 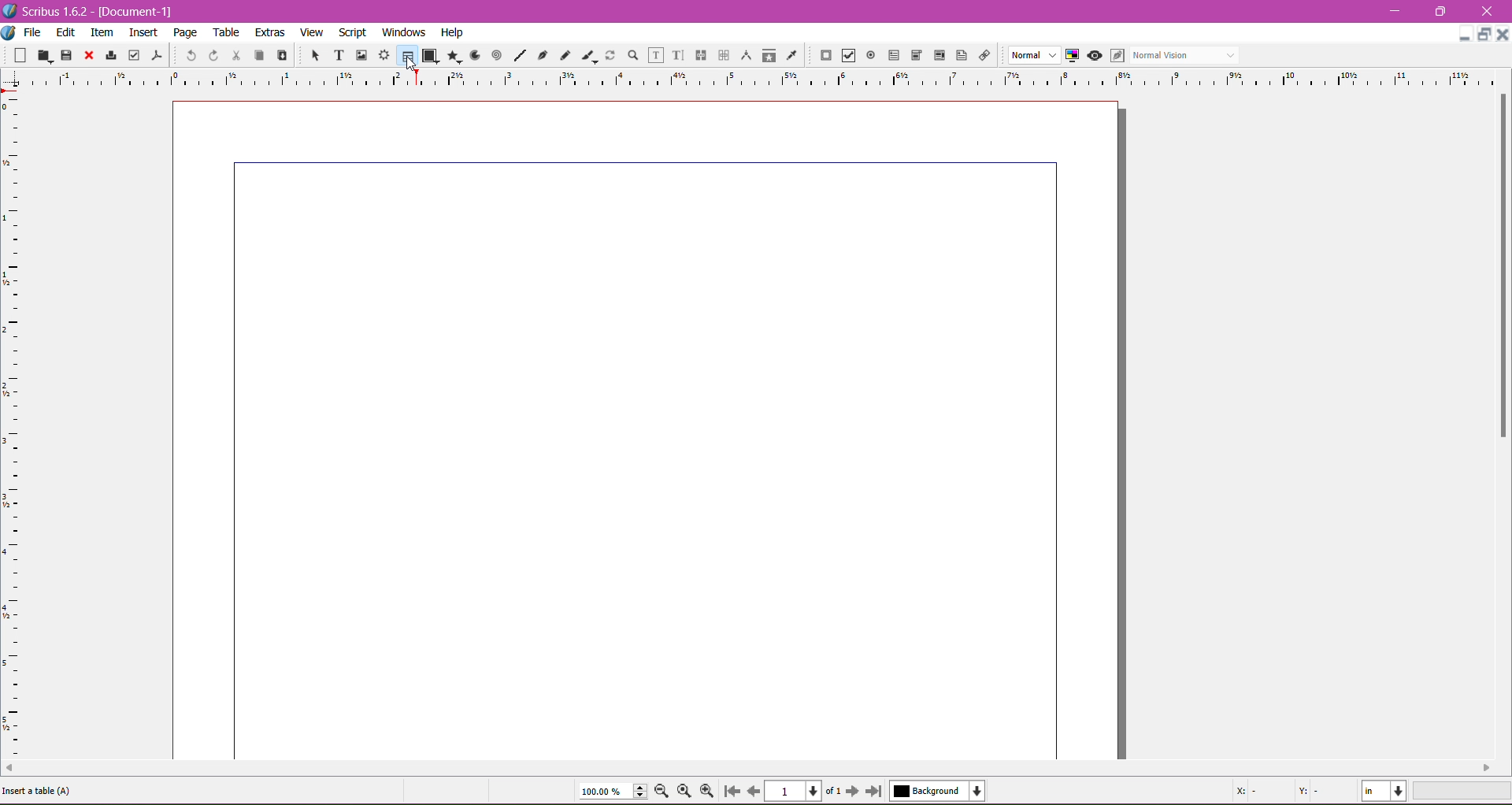 What do you see at coordinates (832, 789) in the screenshot?
I see `of 1` at bounding box center [832, 789].